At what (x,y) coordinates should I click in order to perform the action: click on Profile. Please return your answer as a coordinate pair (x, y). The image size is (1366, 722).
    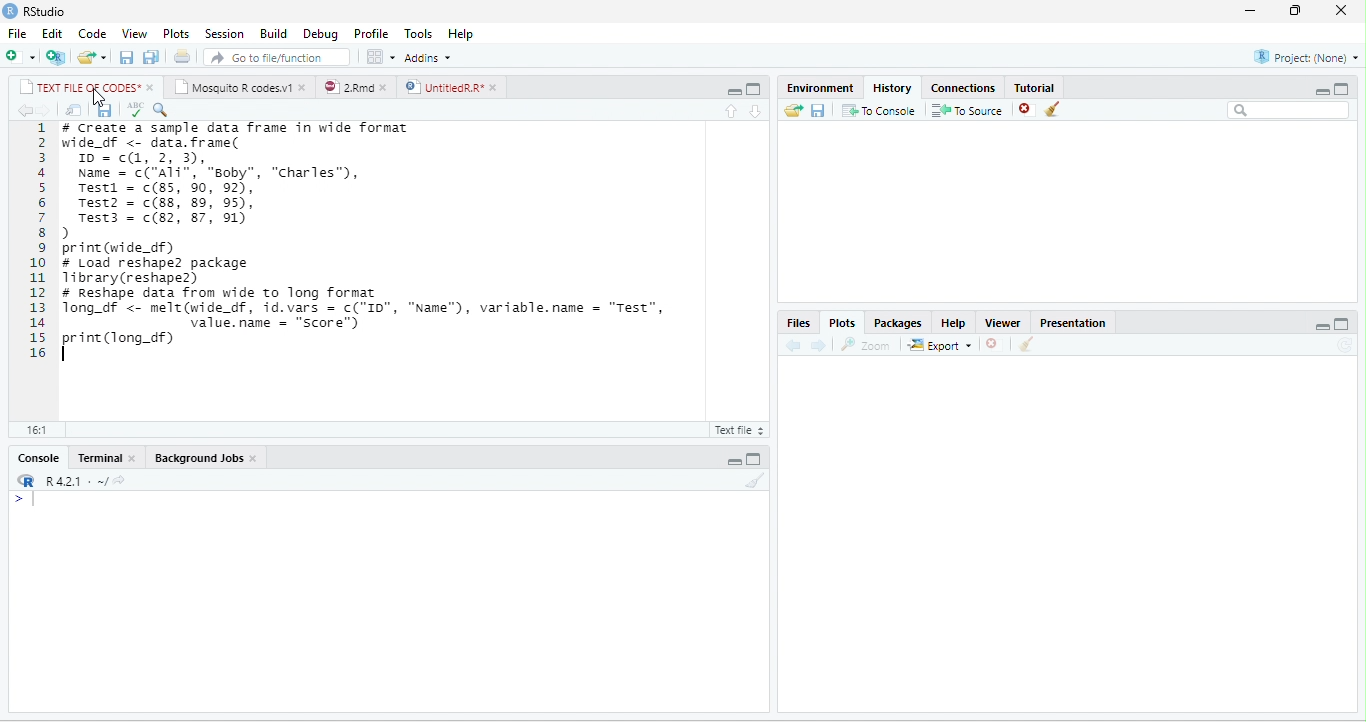
    Looking at the image, I should click on (371, 34).